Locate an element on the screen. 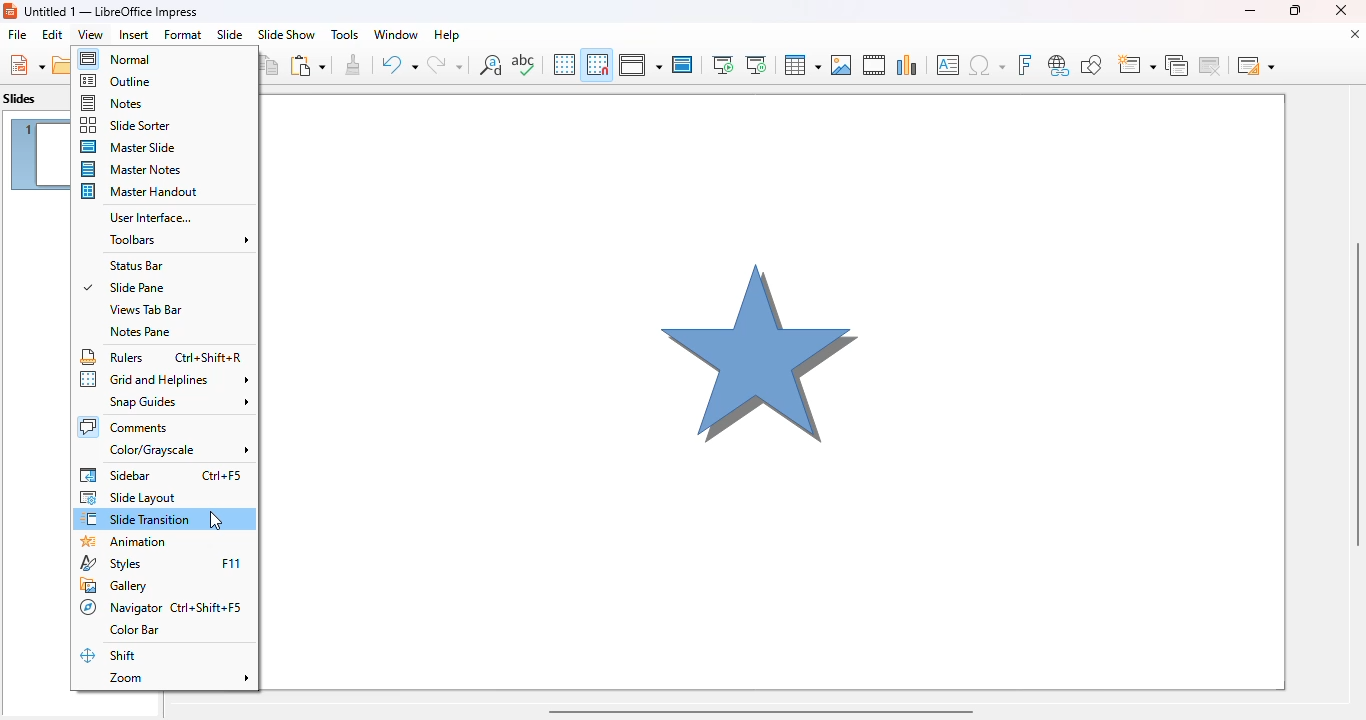 This screenshot has height=720, width=1366. snap to grid is located at coordinates (598, 64).